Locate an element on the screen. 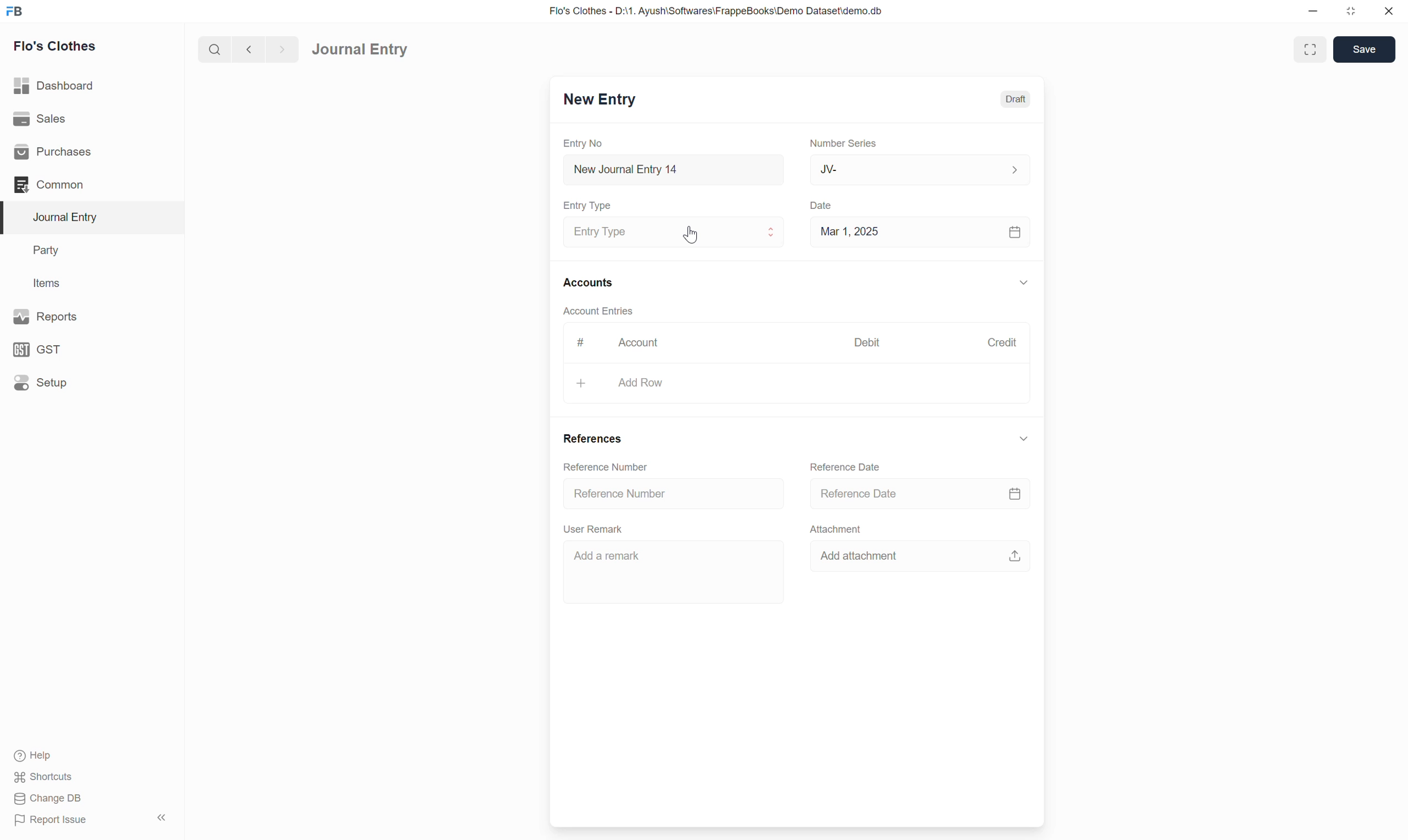 This screenshot has width=1408, height=840. Report Issue is located at coordinates (55, 821).